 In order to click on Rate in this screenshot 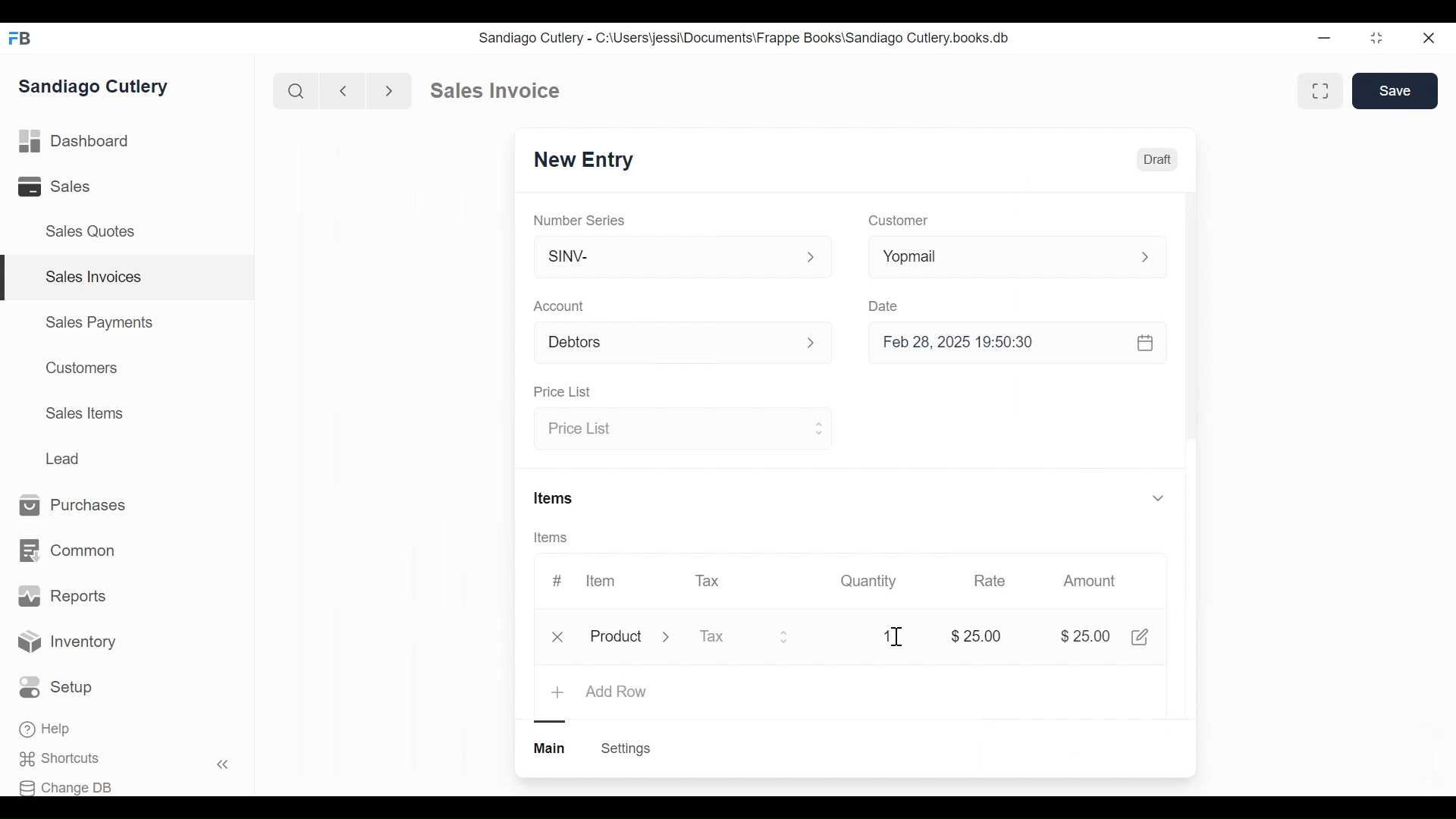, I will do `click(990, 581)`.